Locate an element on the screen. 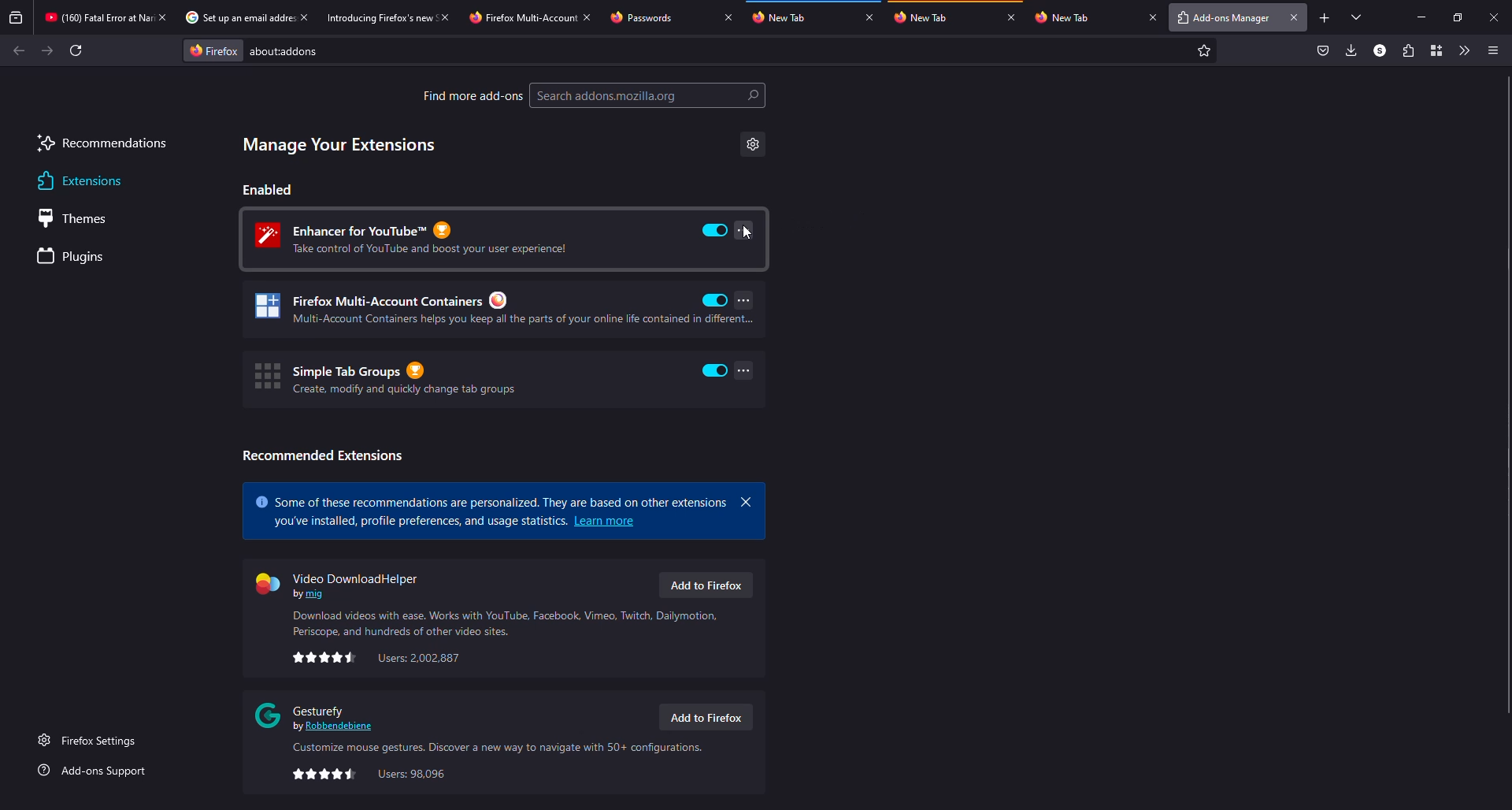 Image resolution: width=1512 pixels, height=810 pixels. close is located at coordinates (1295, 17).